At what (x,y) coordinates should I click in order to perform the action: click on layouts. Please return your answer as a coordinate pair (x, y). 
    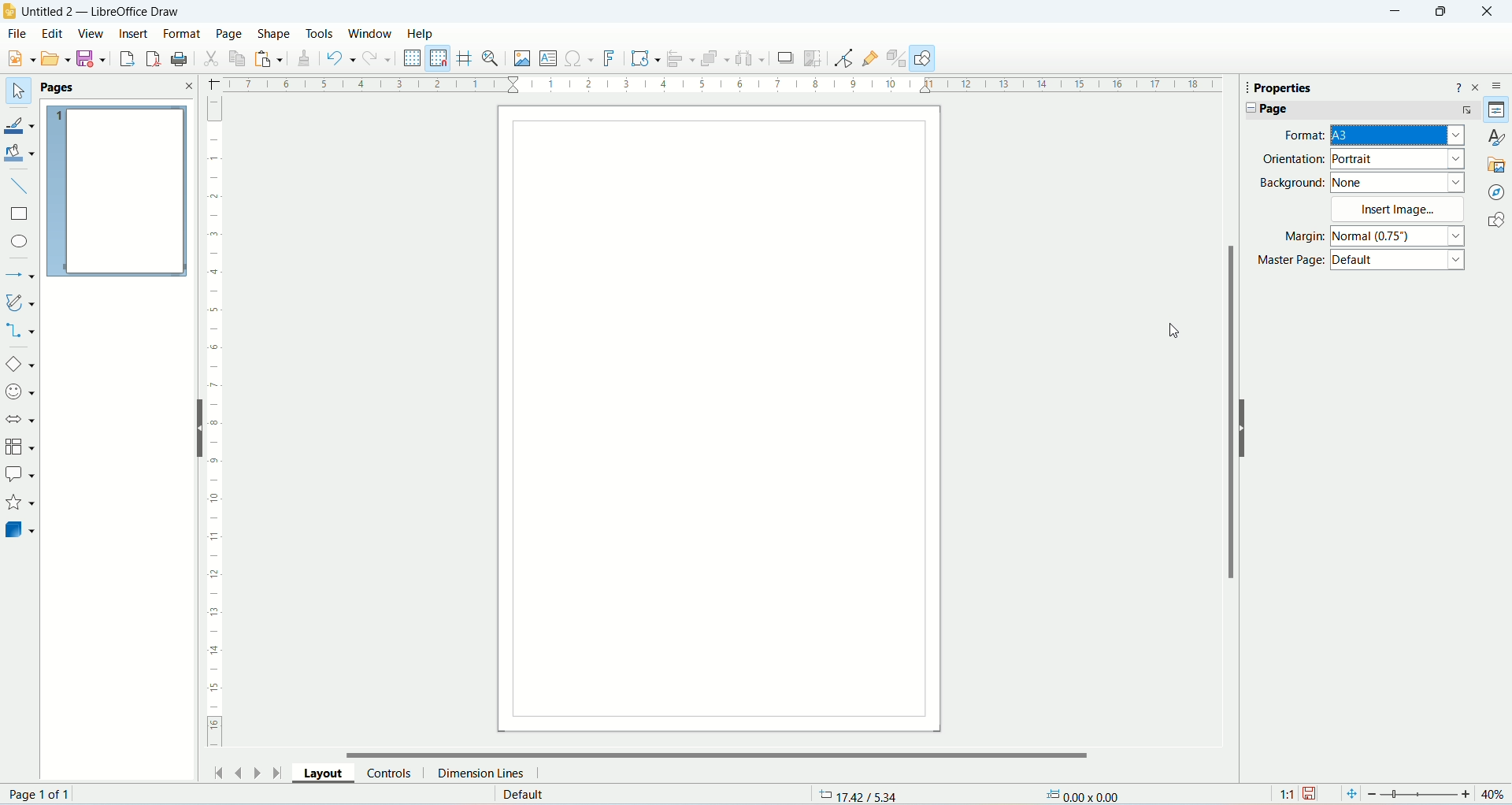
    Looking at the image, I should click on (328, 773).